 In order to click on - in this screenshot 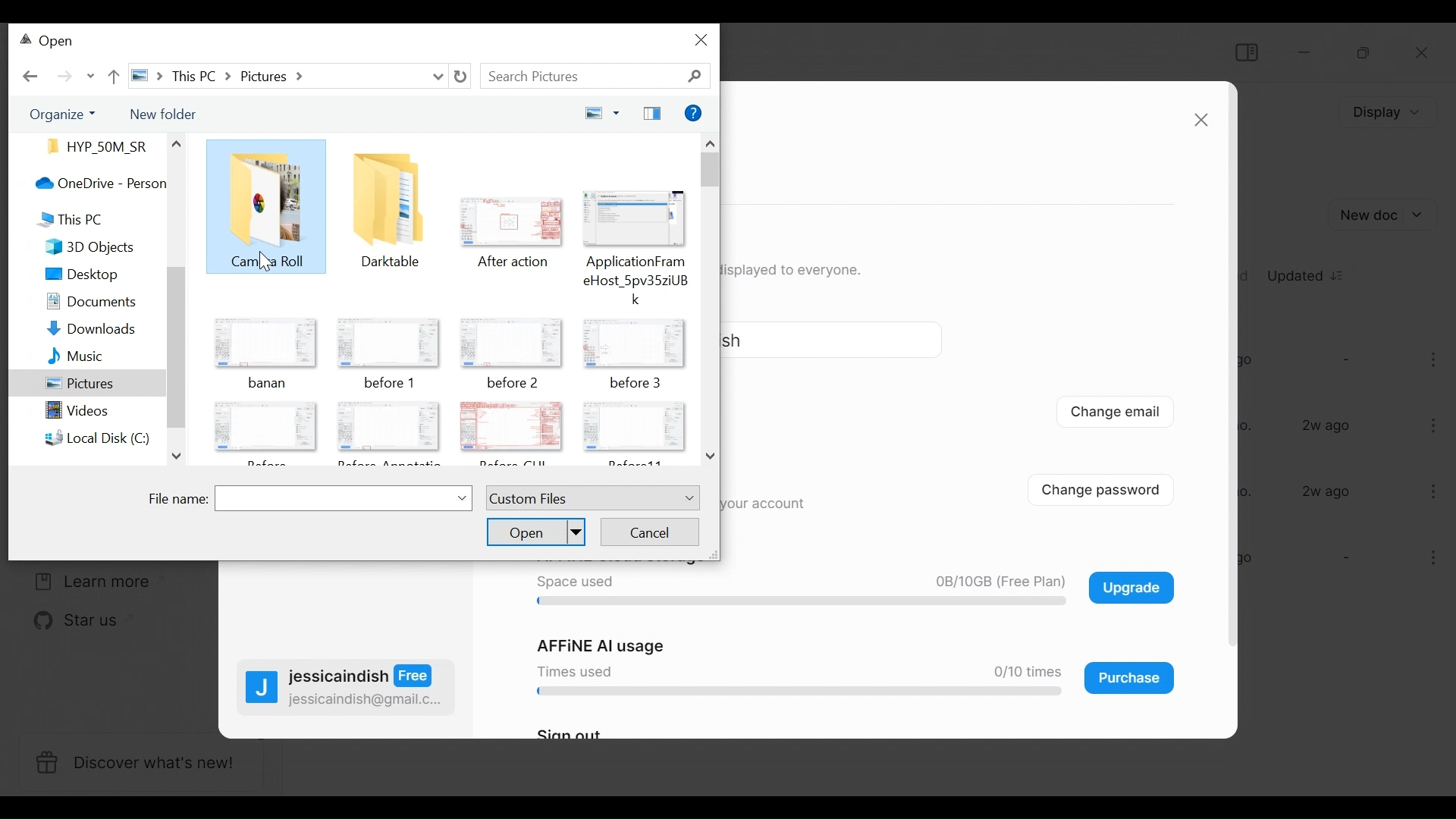, I will do `click(1344, 559)`.